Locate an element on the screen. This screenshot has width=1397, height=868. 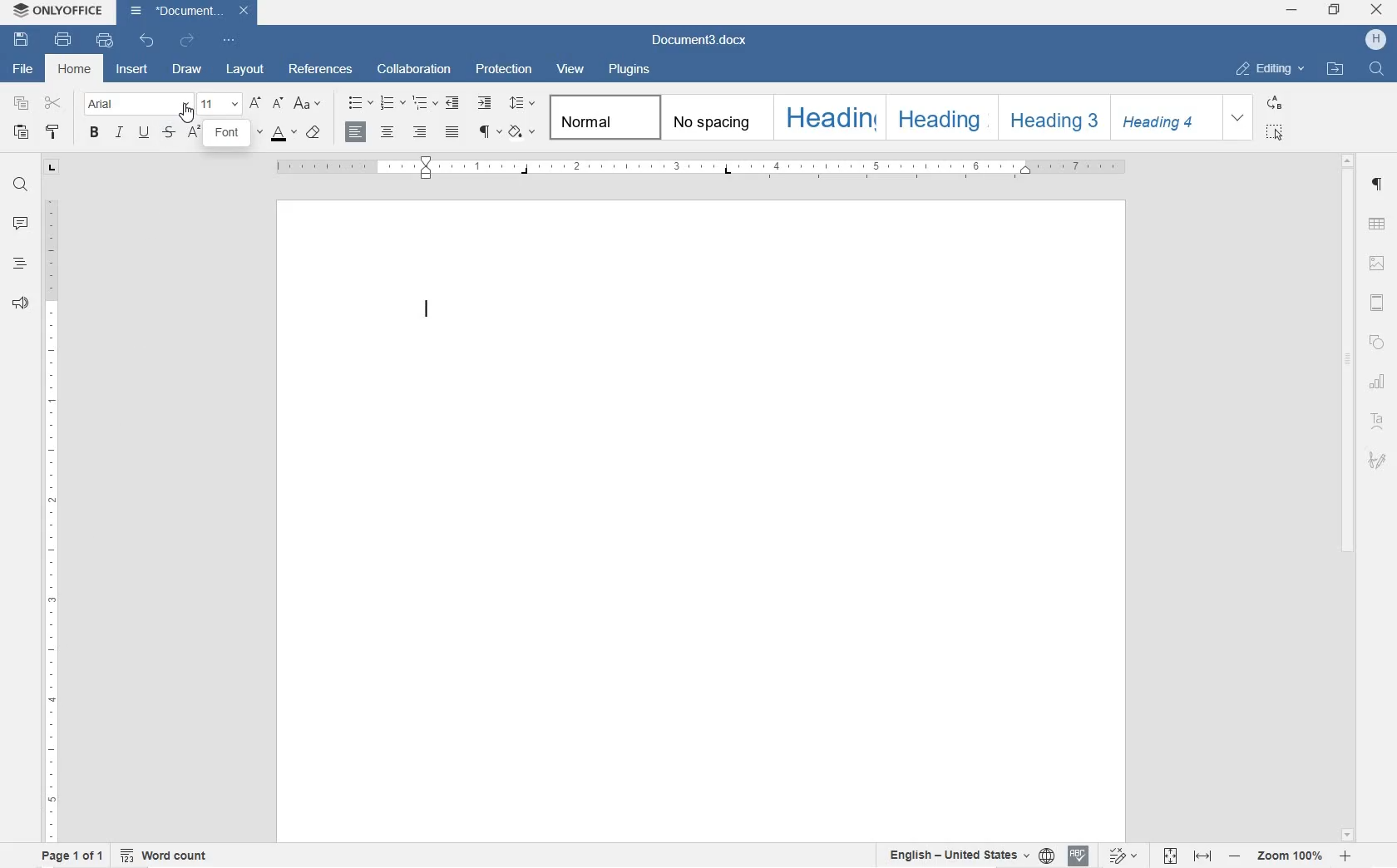
RULER is located at coordinates (704, 170).